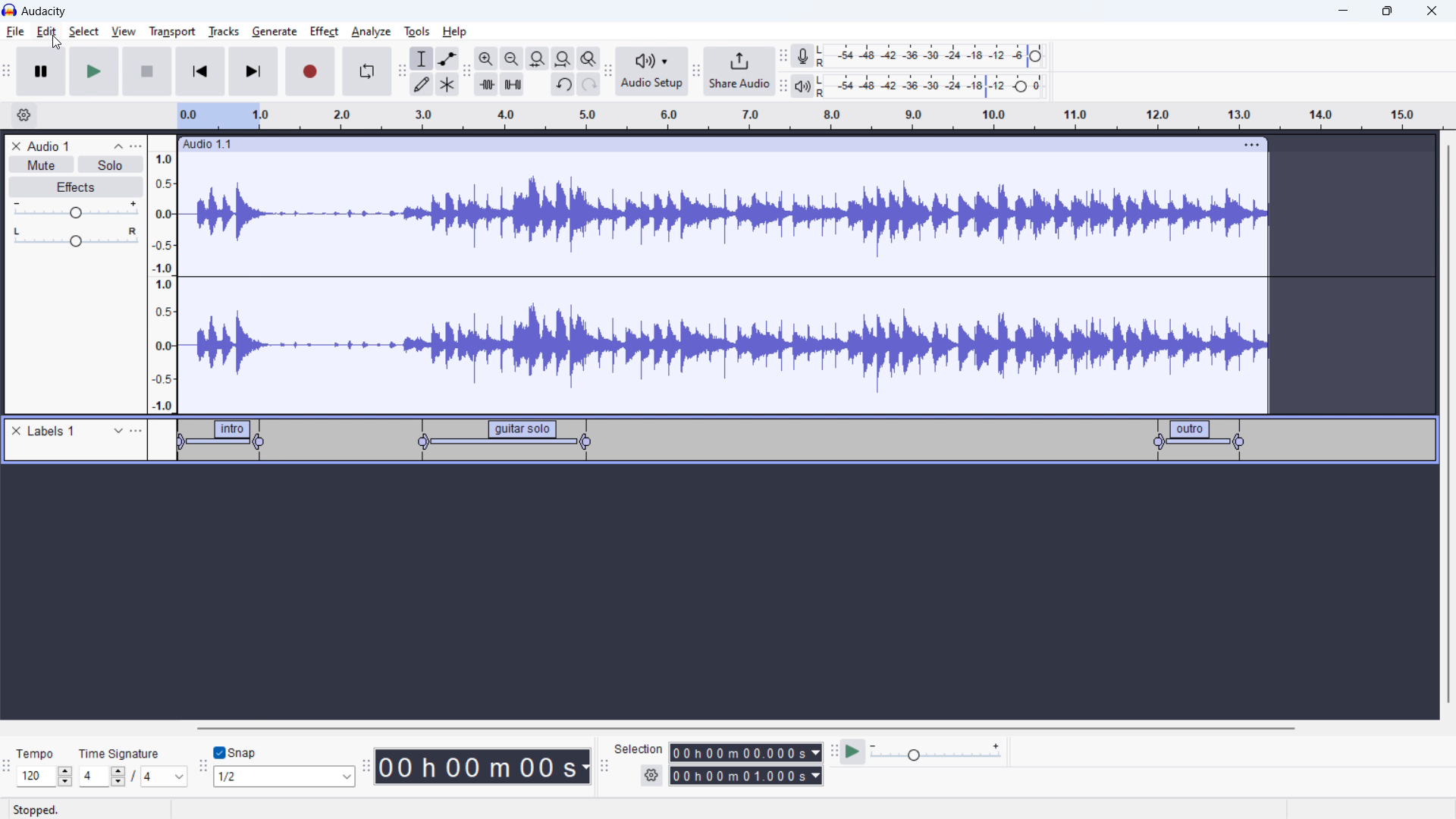 This screenshot has width=1456, height=819. What do you see at coordinates (852, 751) in the screenshot?
I see `play at speed` at bounding box center [852, 751].